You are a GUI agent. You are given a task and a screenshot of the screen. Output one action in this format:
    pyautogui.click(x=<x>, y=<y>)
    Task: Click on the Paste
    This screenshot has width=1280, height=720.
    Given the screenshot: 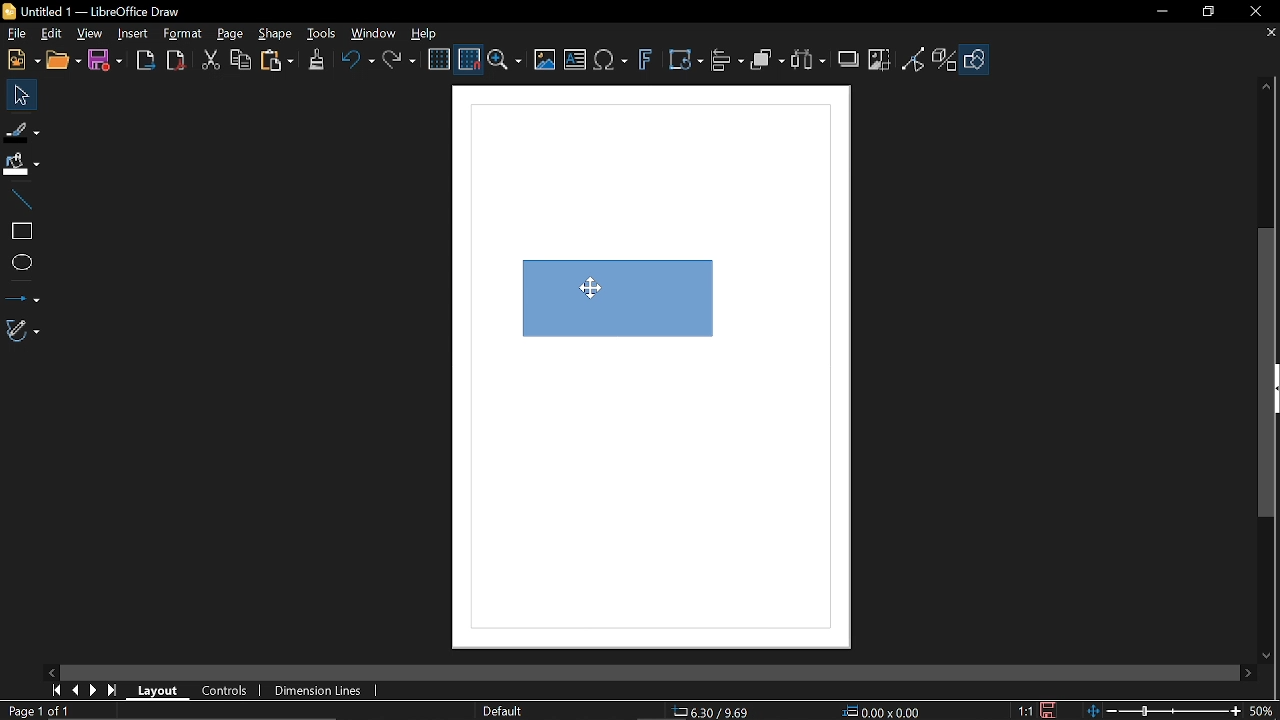 What is the action you would take?
    pyautogui.click(x=275, y=62)
    